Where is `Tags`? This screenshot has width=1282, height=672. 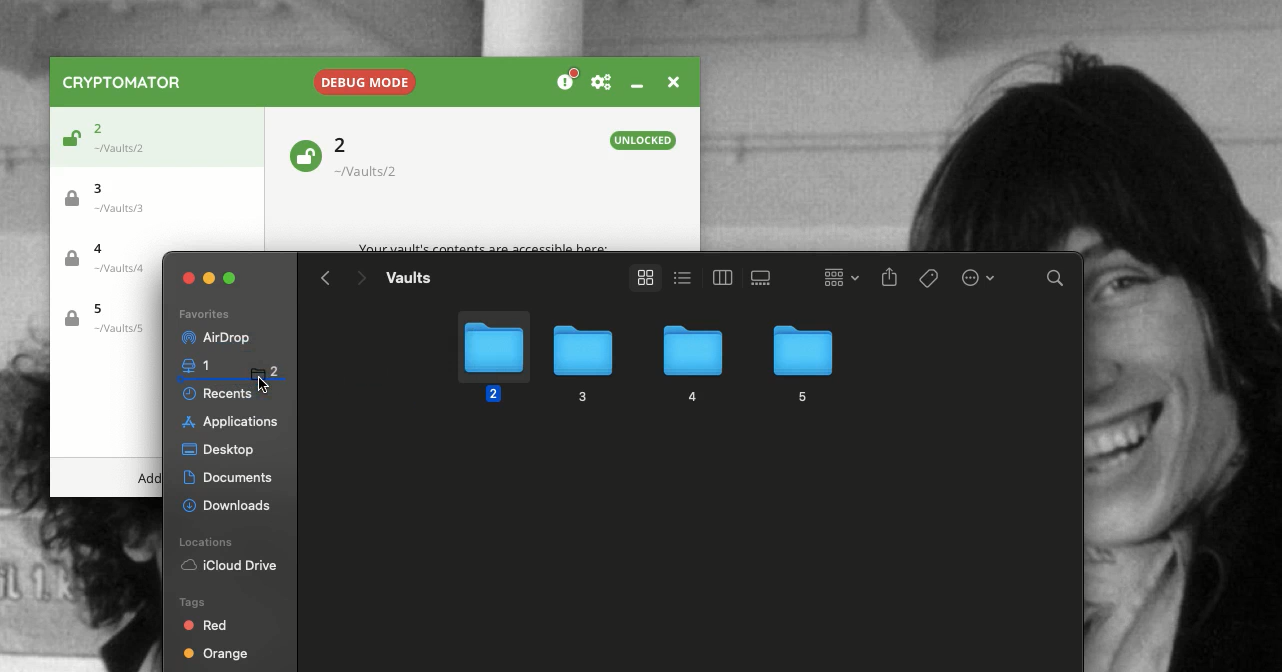
Tags is located at coordinates (930, 278).